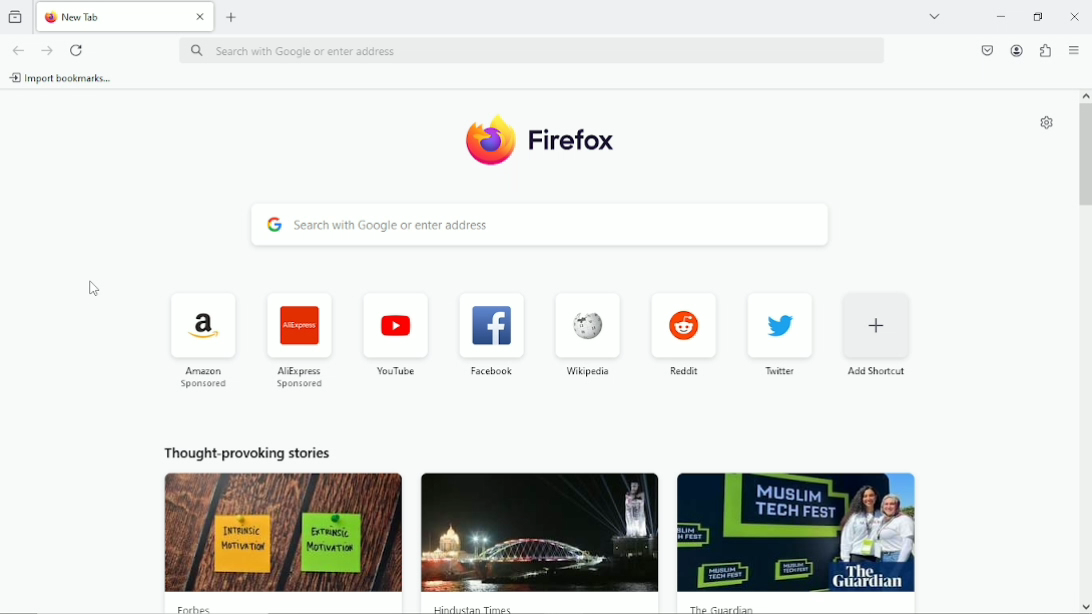 The width and height of the screenshot is (1092, 614). What do you see at coordinates (470, 607) in the screenshot?
I see `Hindustan Times` at bounding box center [470, 607].